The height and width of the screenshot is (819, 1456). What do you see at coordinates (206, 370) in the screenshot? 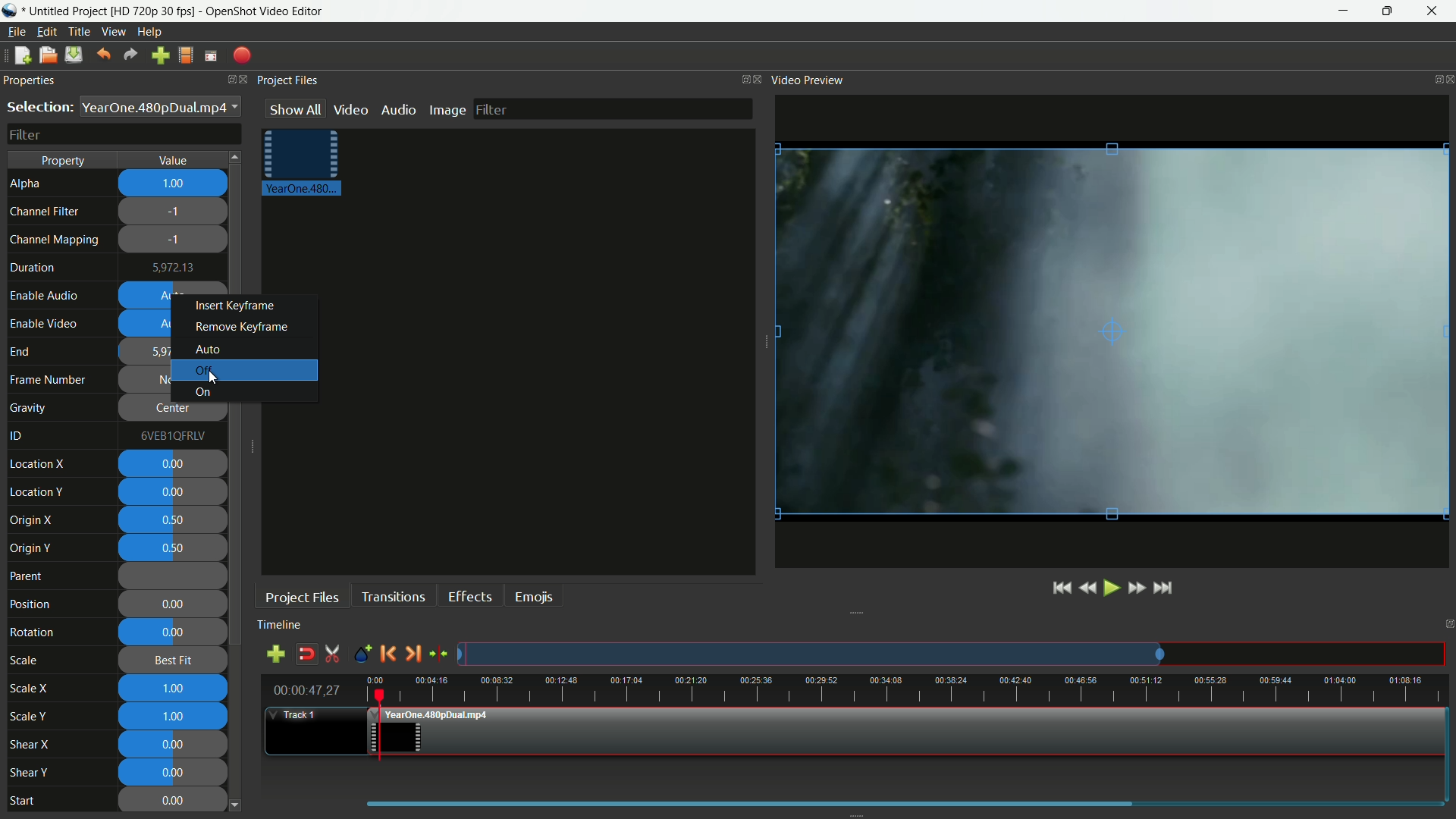
I see `off` at bounding box center [206, 370].